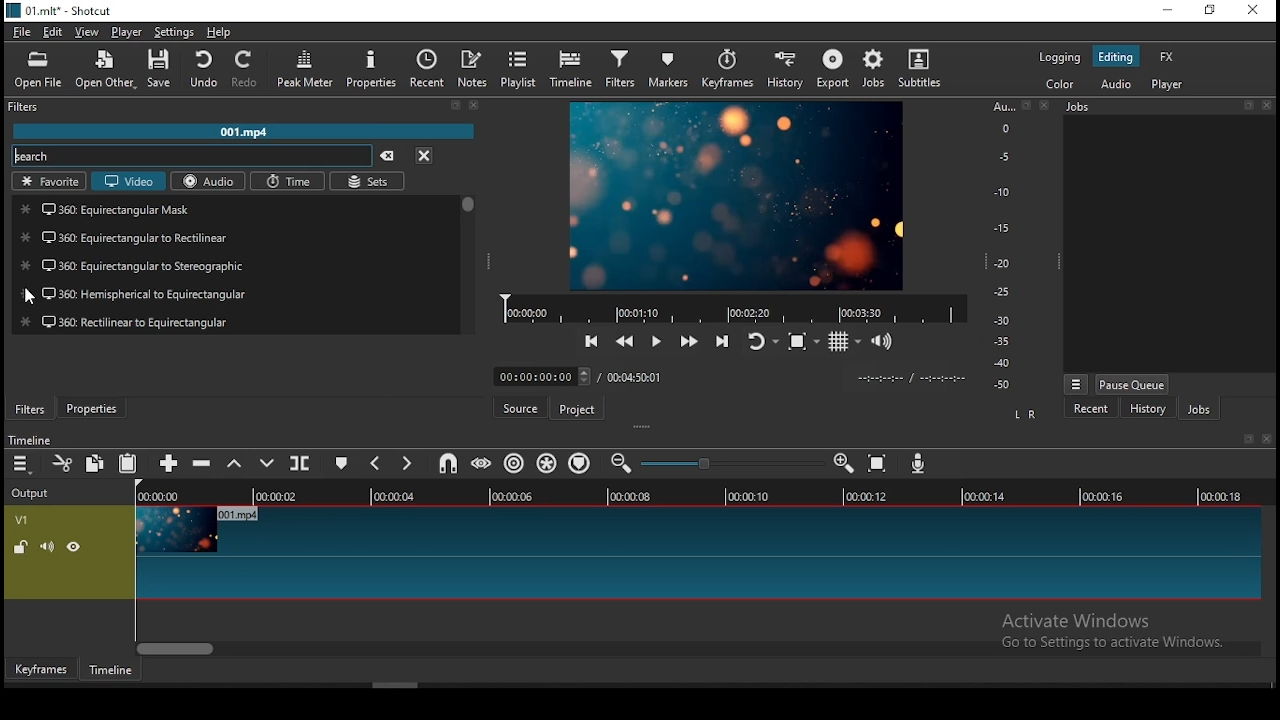 This screenshot has width=1280, height=720. I want to click on project, so click(579, 407).